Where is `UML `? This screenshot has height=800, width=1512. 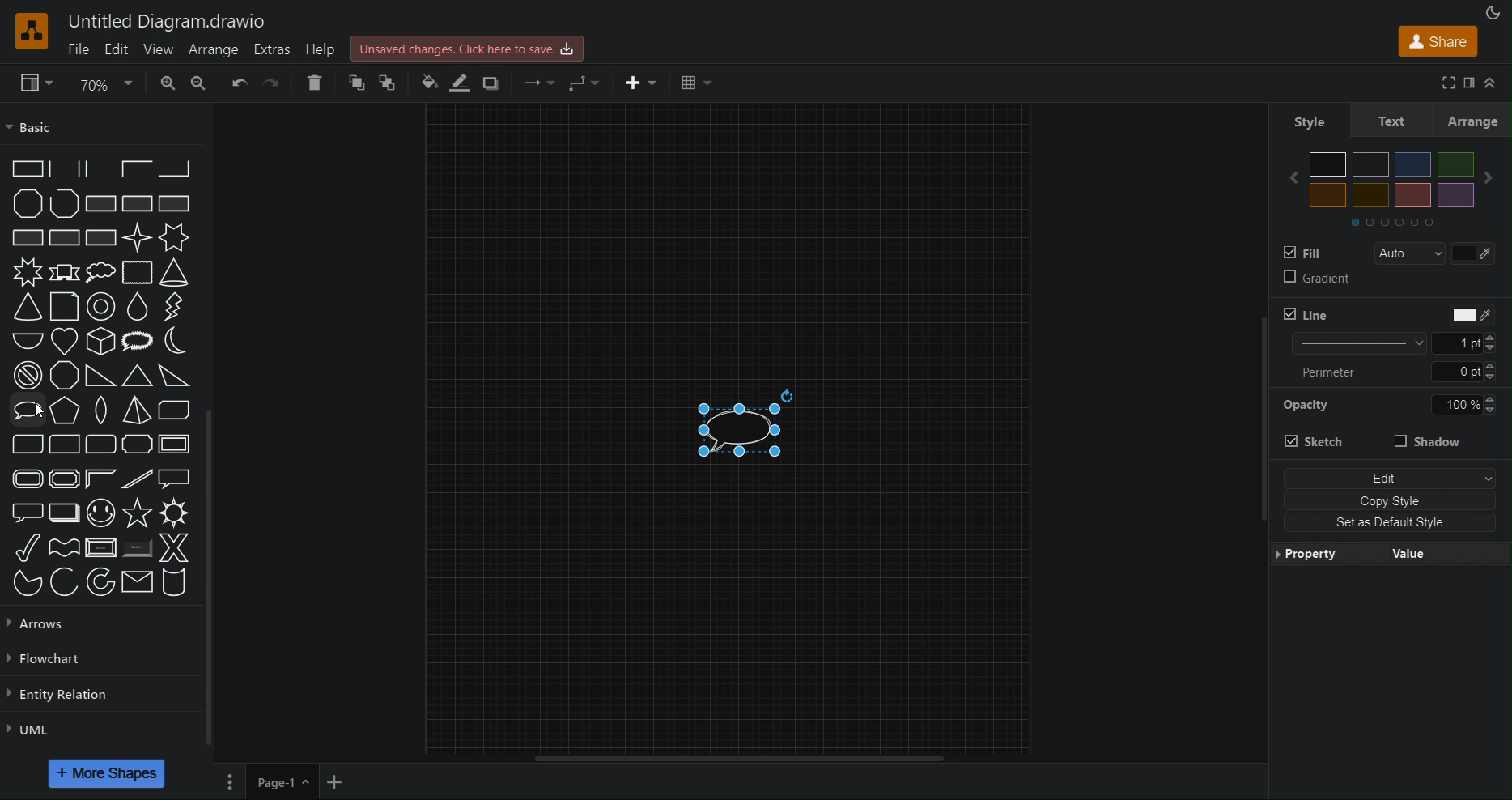
UML  is located at coordinates (37, 733).